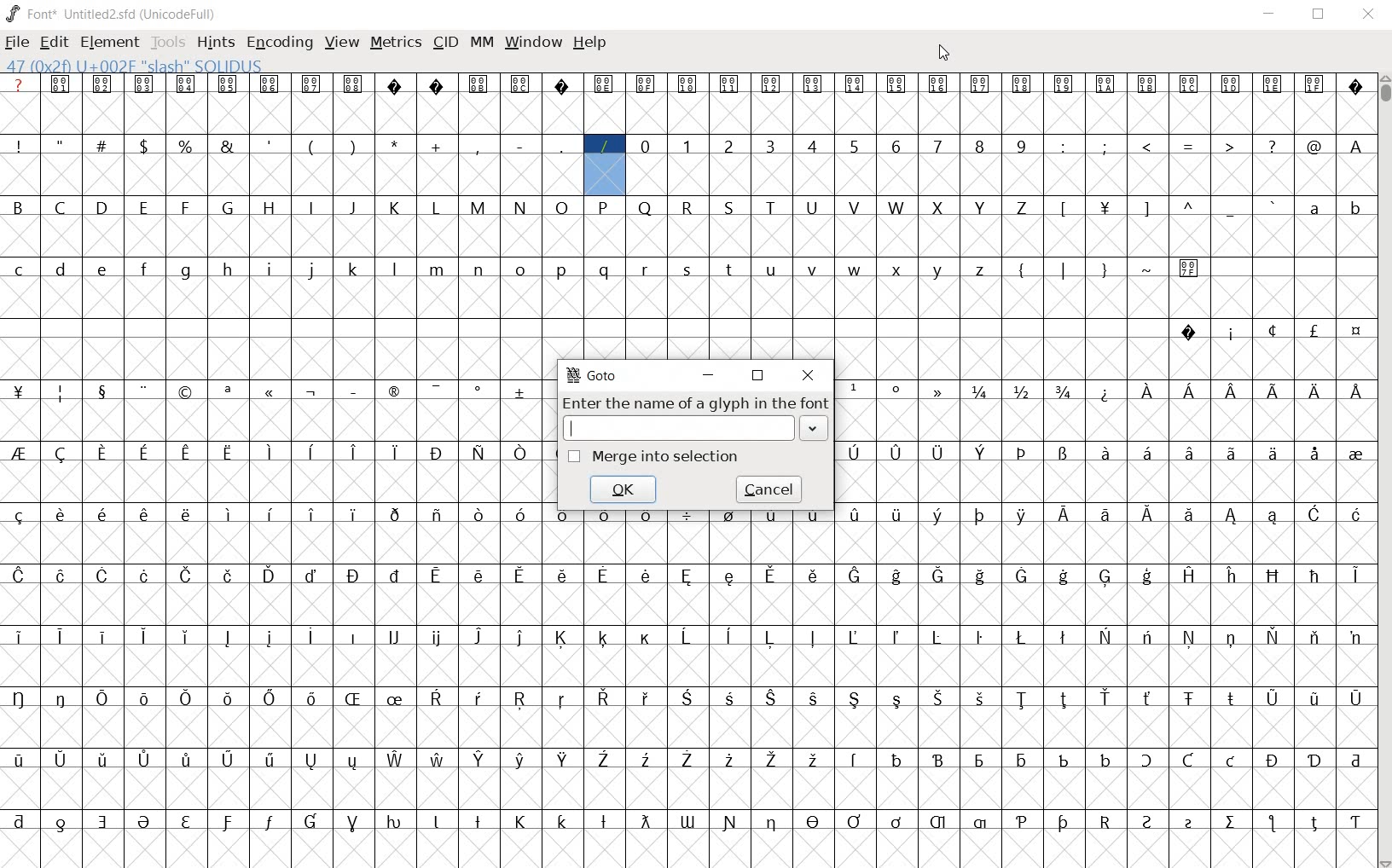 Image resolution: width=1392 pixels, height=868 pixels. I want to click on glyph, so click(270, 698).